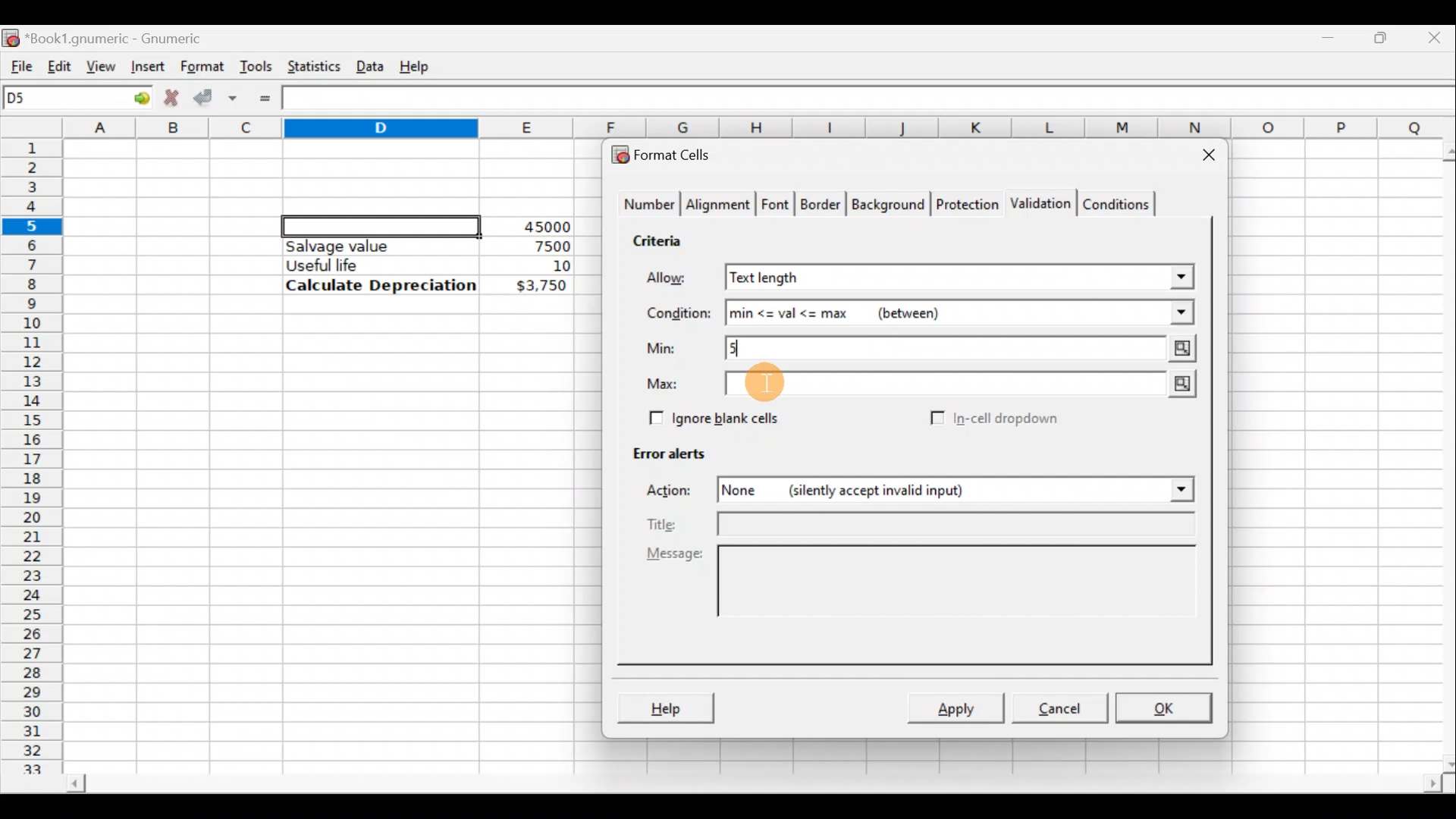 The height and width of the screenshot is (819, 1456). Describe the element at coordinates (1202, 158) in the screenshot. I see `Close` at that location.